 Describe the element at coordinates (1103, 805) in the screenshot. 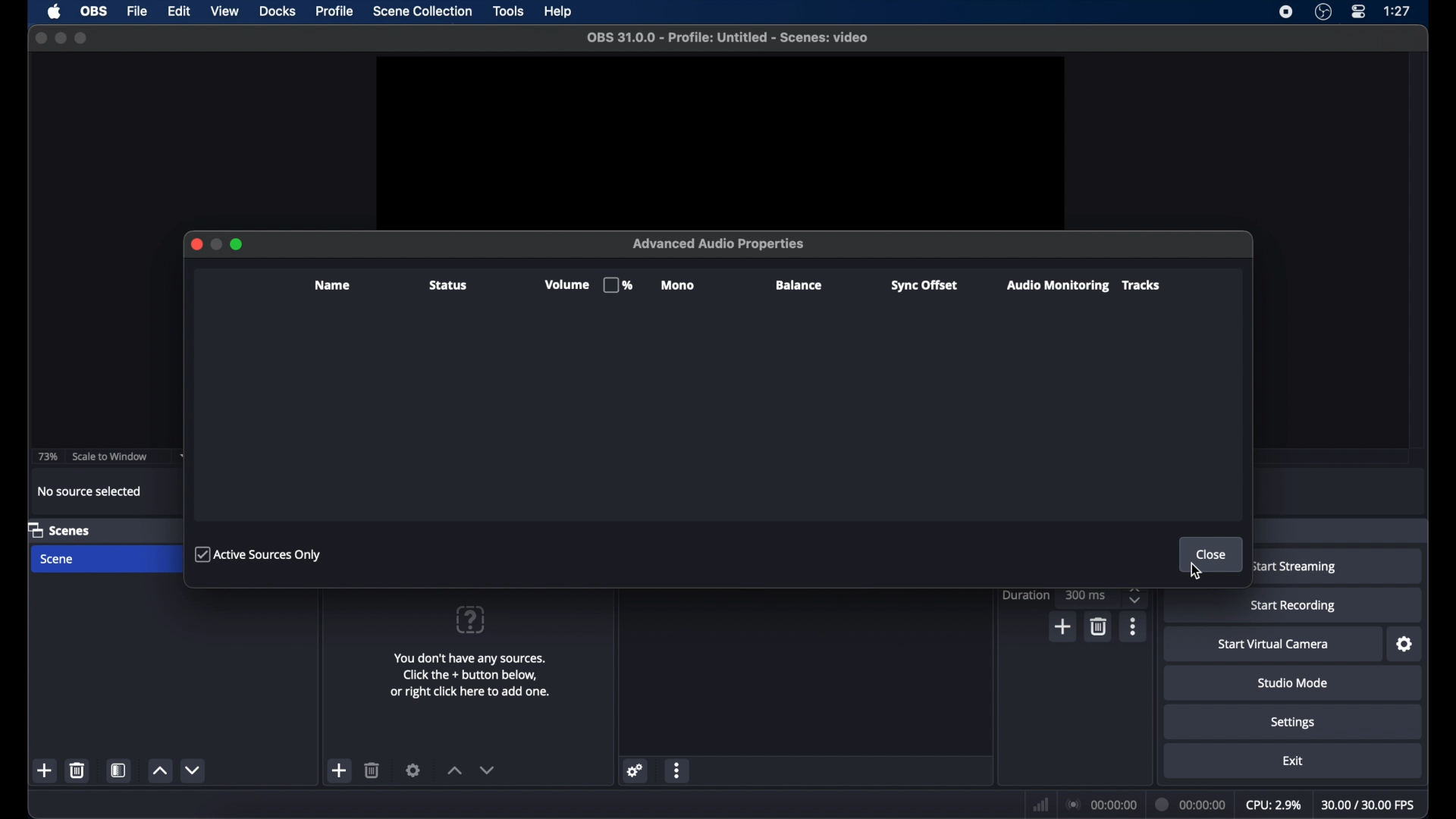

I see `connection` at that location.